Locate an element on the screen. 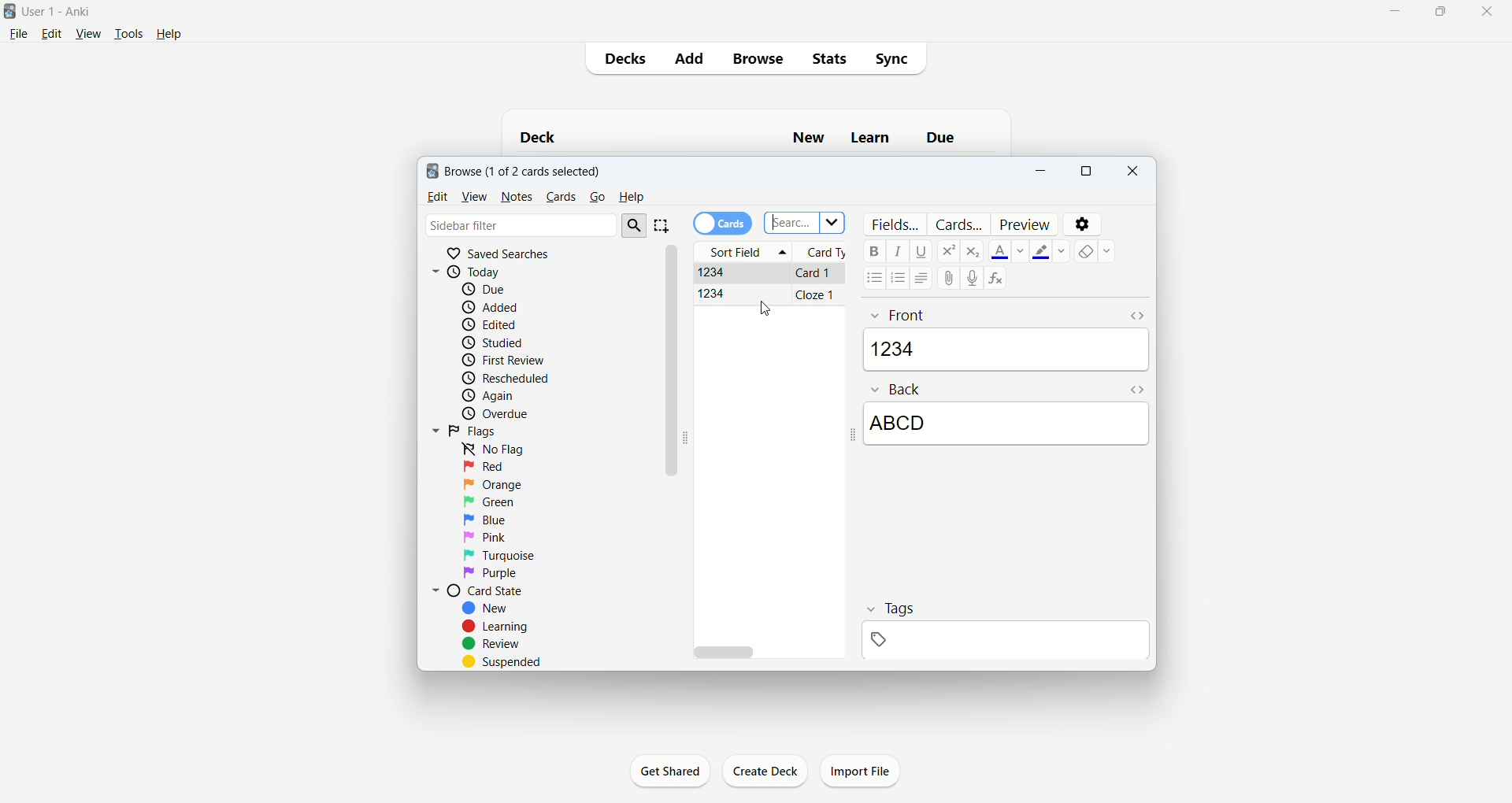 This screenshot has height=803, width=1512. search is located at coordinates (791, 223).